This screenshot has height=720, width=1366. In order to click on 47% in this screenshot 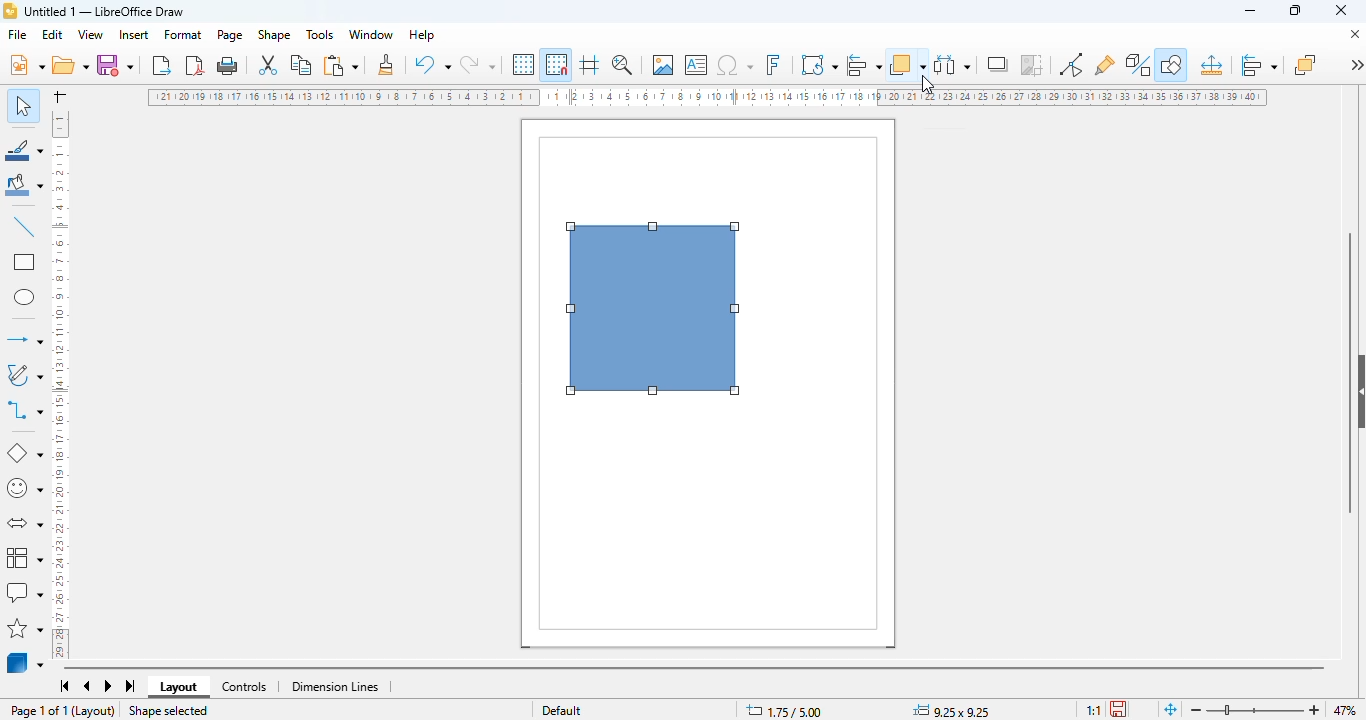, I will do `click(1344, 709)`.